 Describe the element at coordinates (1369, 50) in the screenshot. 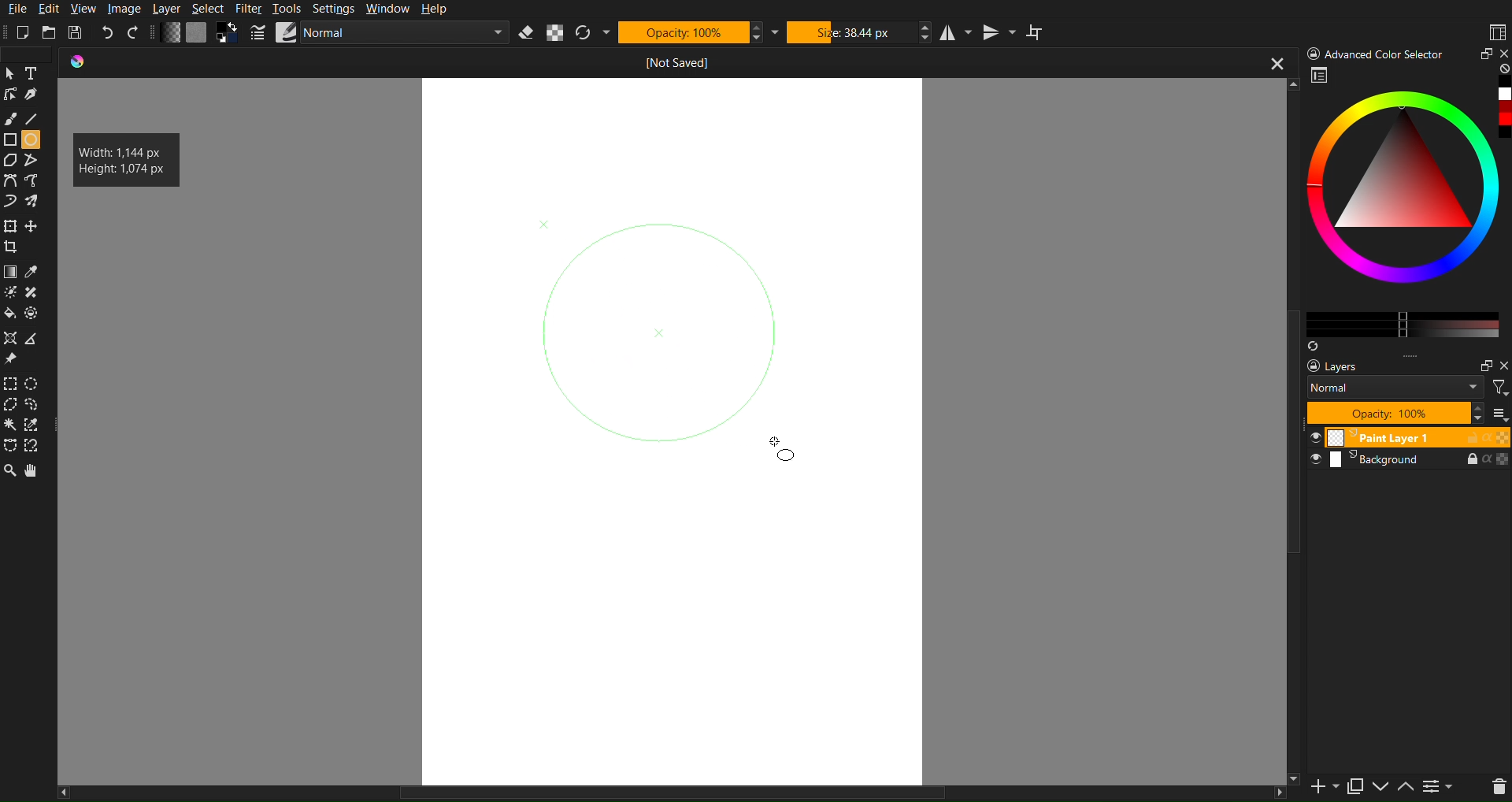

I see `) Advanced Color Selector` at that location.